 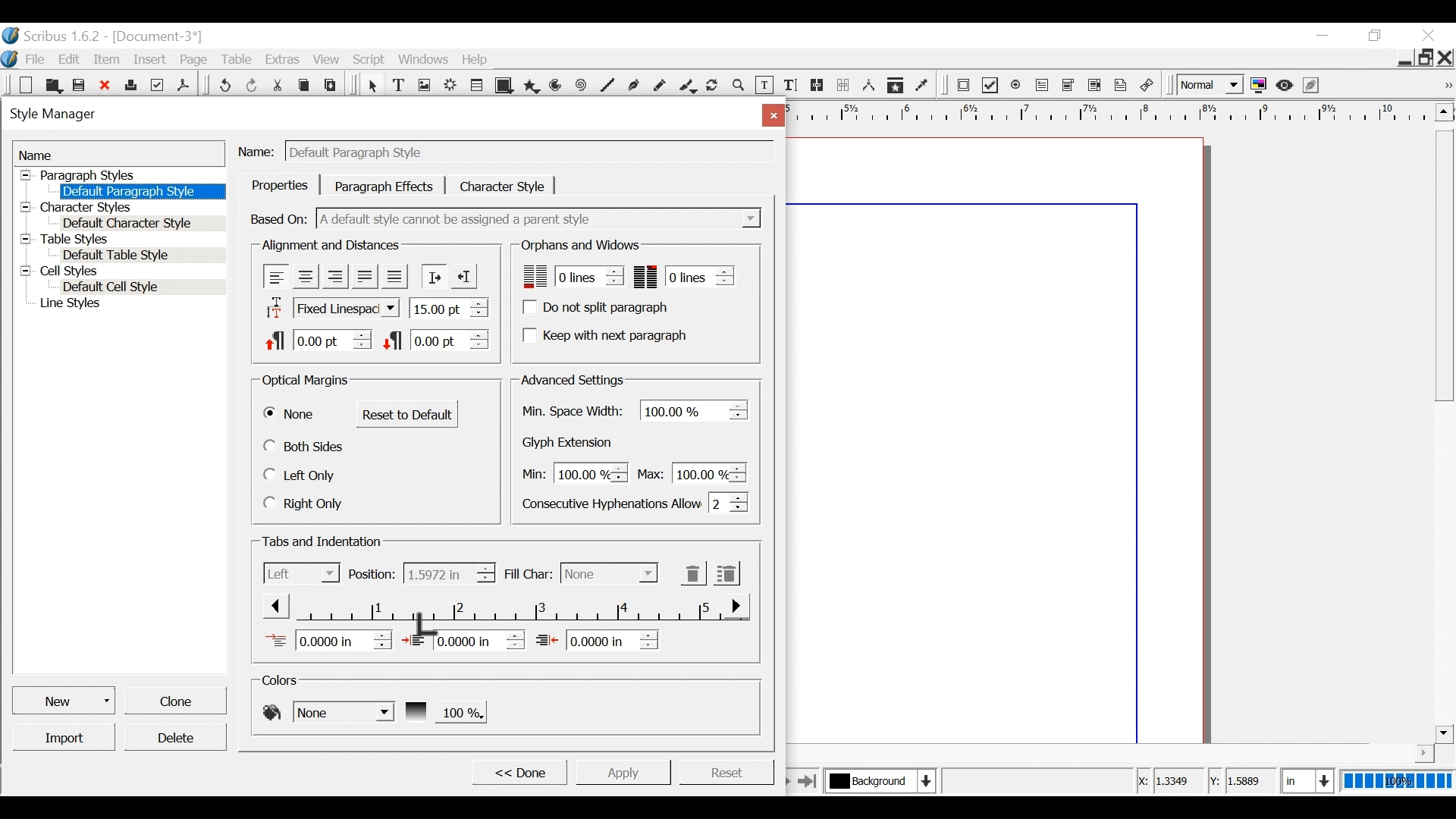 I want to click on Paste, so click(x=333, y=84).